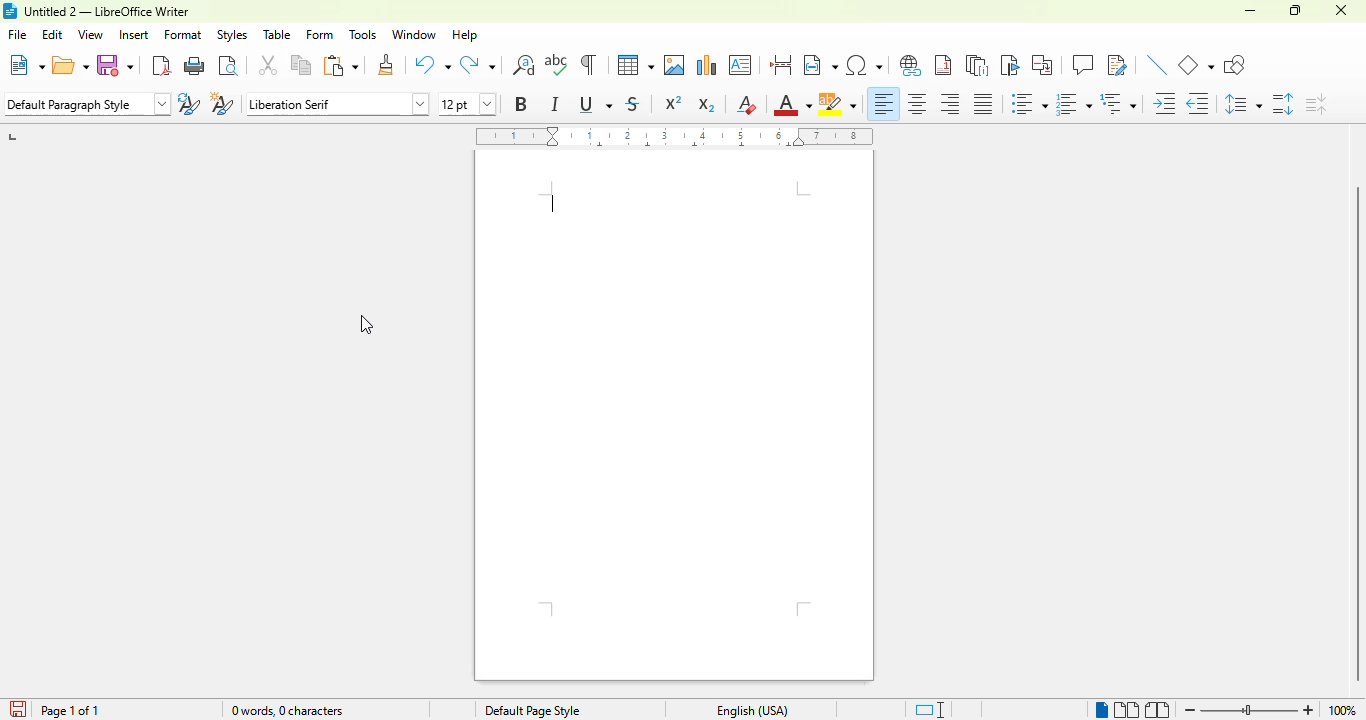 This screenshot has width=1366, height=720. Describe the element at coordinates (277, 34) in the screenshot. I see `table` at that location.